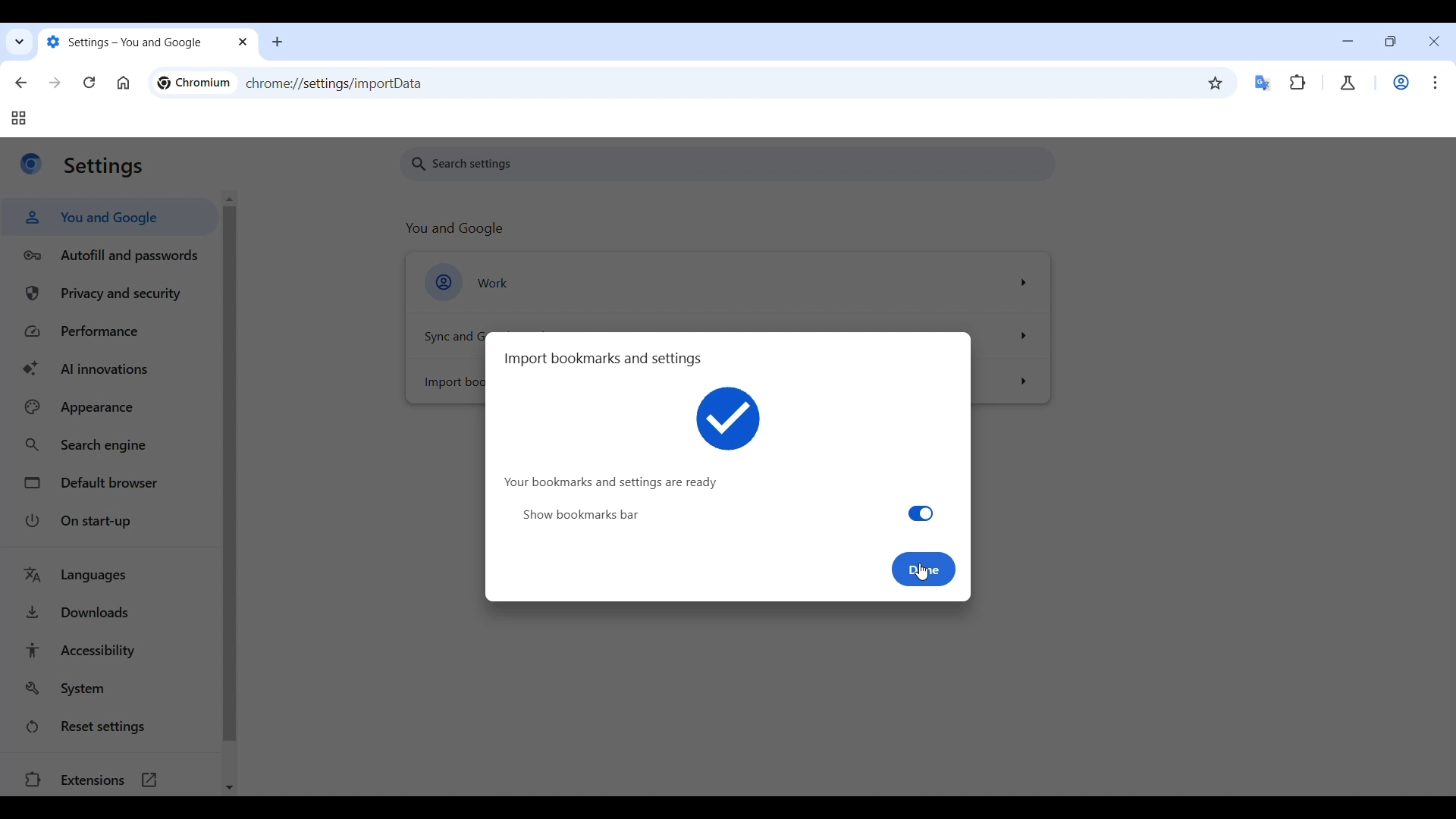 The height and width of the screenshot is (819, 1456). I want to click on Go back, so click(21, 83).